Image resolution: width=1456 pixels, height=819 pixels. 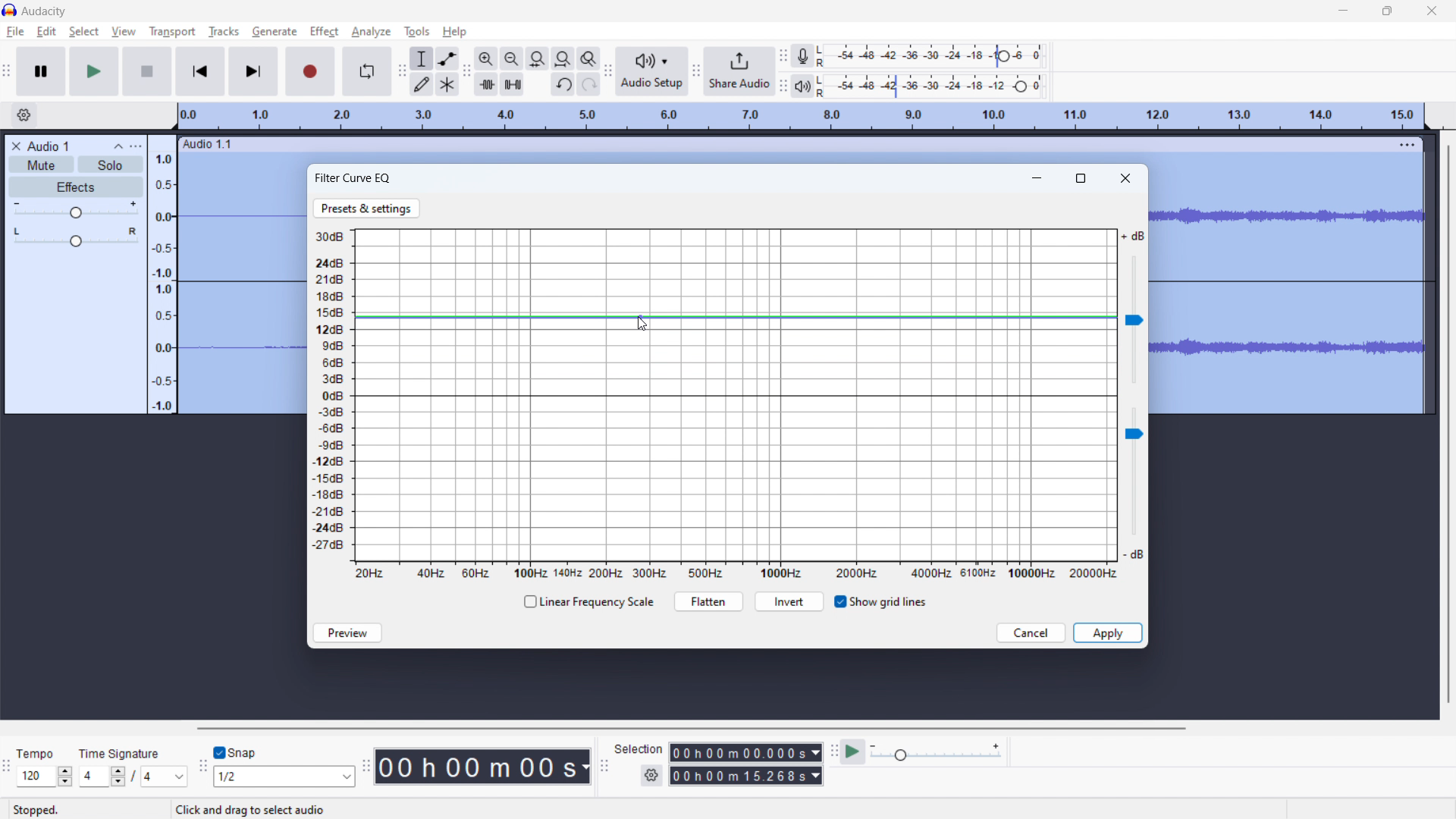 What do you see at coordinates (15, 146) in the screenshot?
I see `delete audio` at bounding box center [15, 146].